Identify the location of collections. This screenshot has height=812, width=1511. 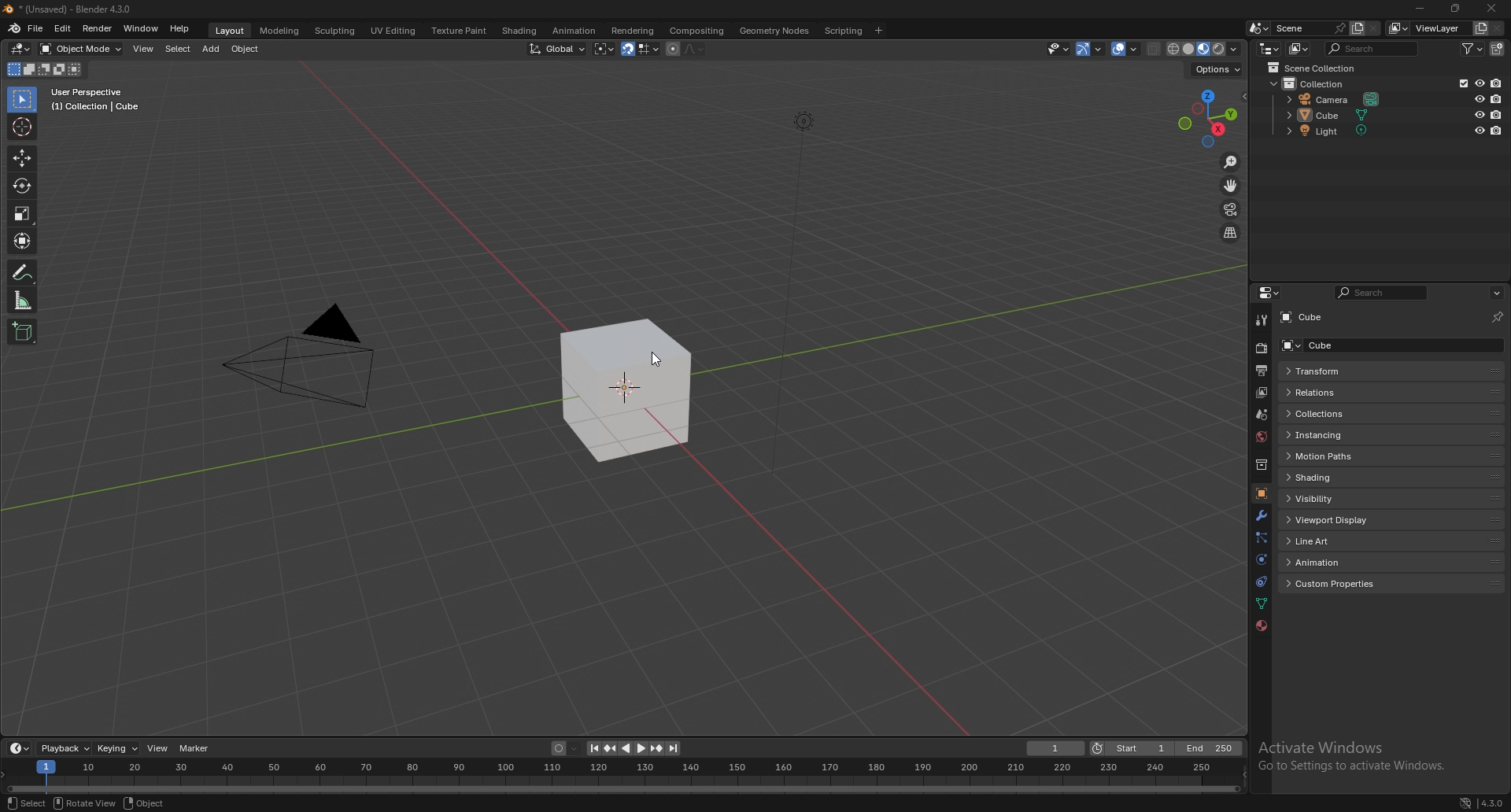
(1390, 414).